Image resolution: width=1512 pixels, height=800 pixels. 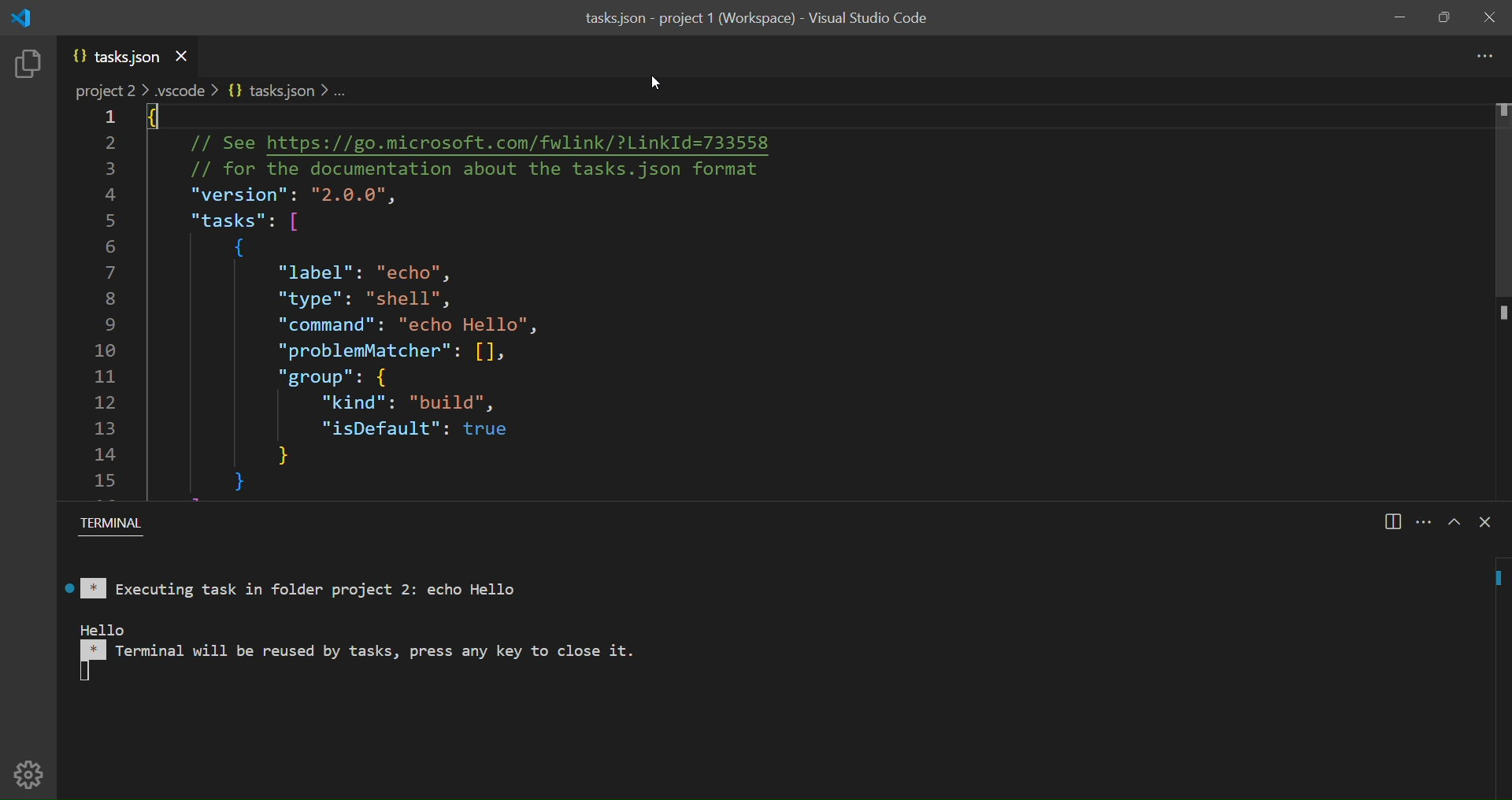 I want to click on close current file, so click(x=182, y=55).